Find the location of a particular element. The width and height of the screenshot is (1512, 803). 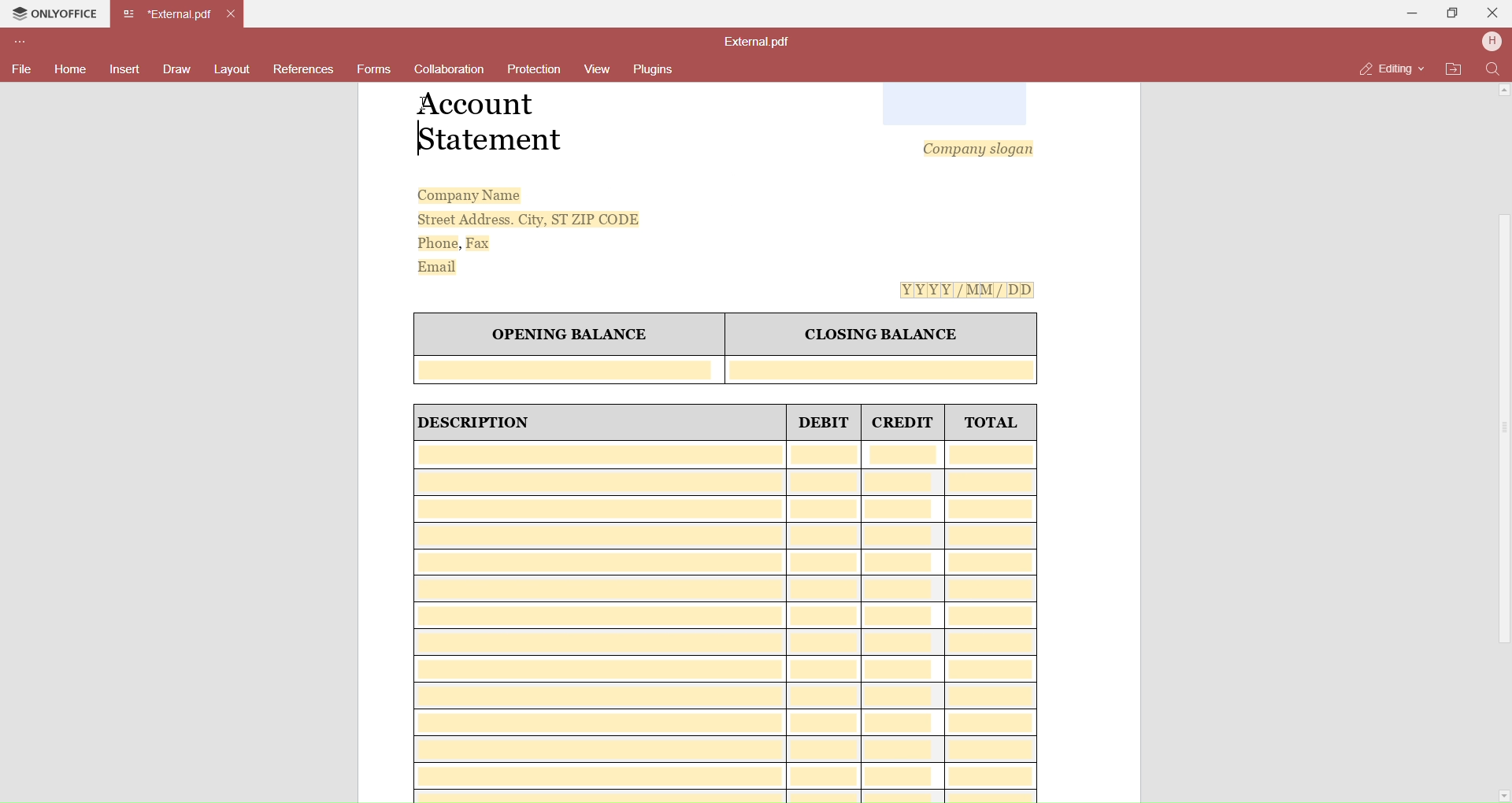

DEBIT is located at coordinates (826, 422).